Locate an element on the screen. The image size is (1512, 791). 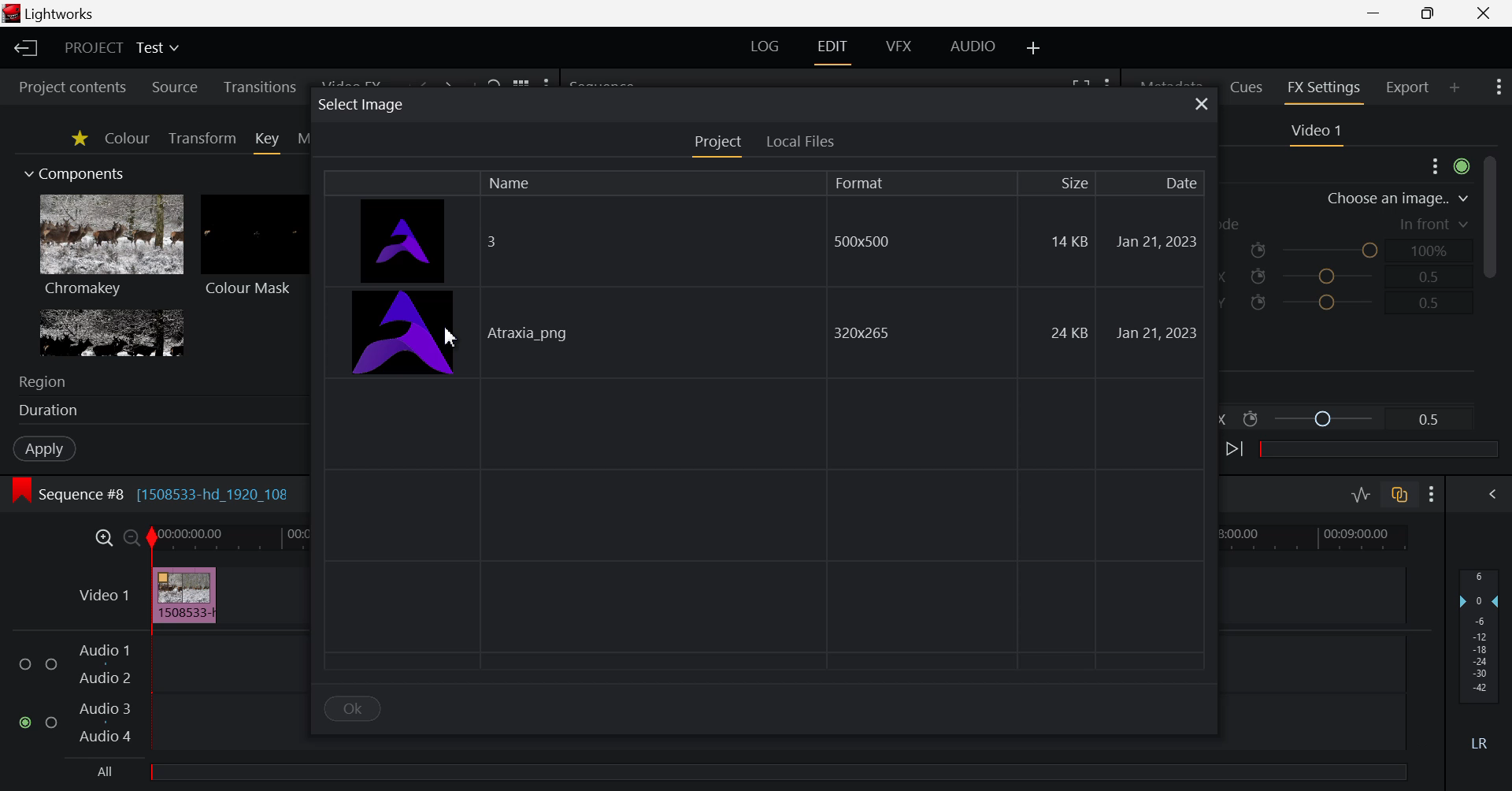
Toggle audio levels editing is located at coordinates (1360, 496).